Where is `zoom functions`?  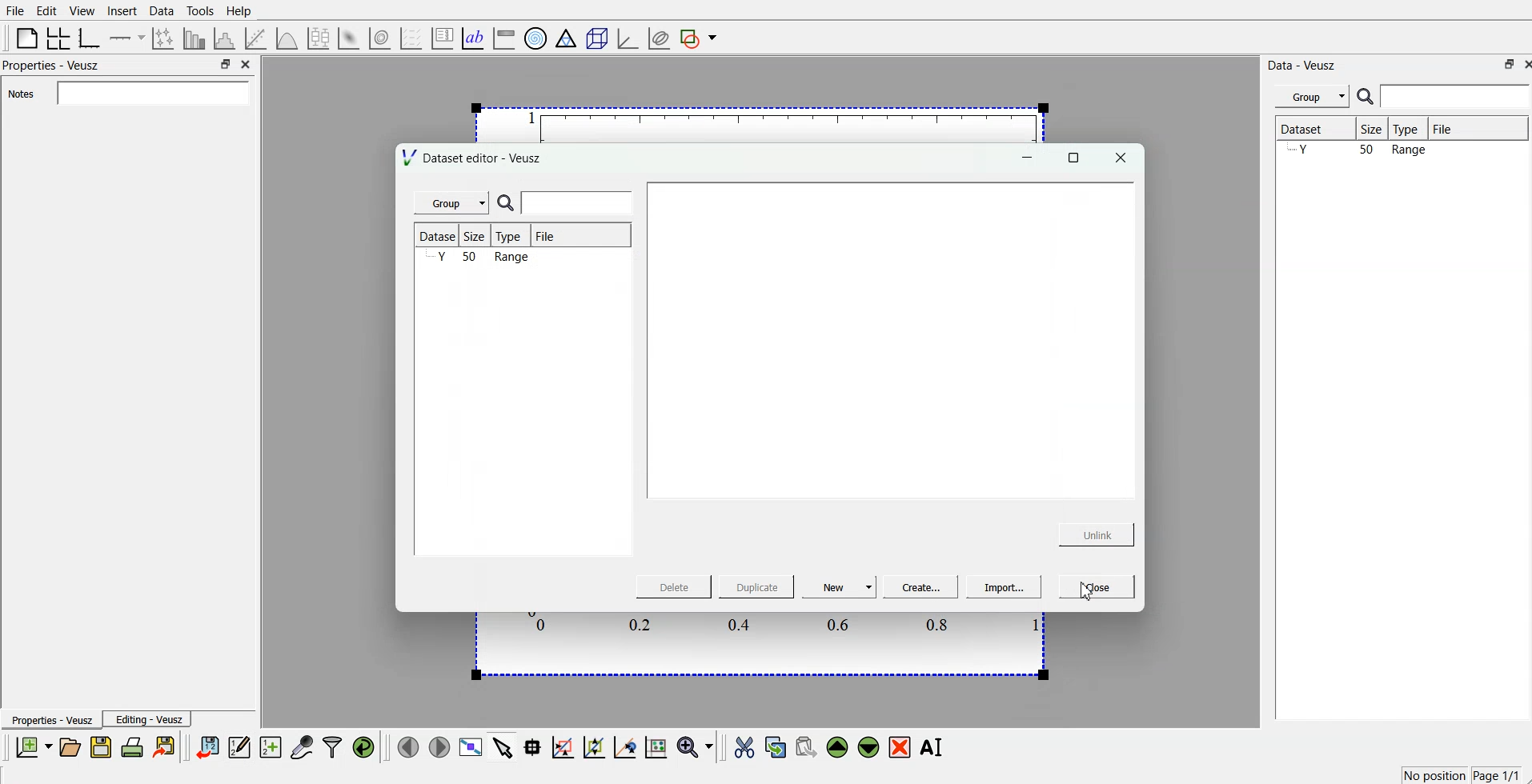
zoom functions is located at coordinates (696, 746).